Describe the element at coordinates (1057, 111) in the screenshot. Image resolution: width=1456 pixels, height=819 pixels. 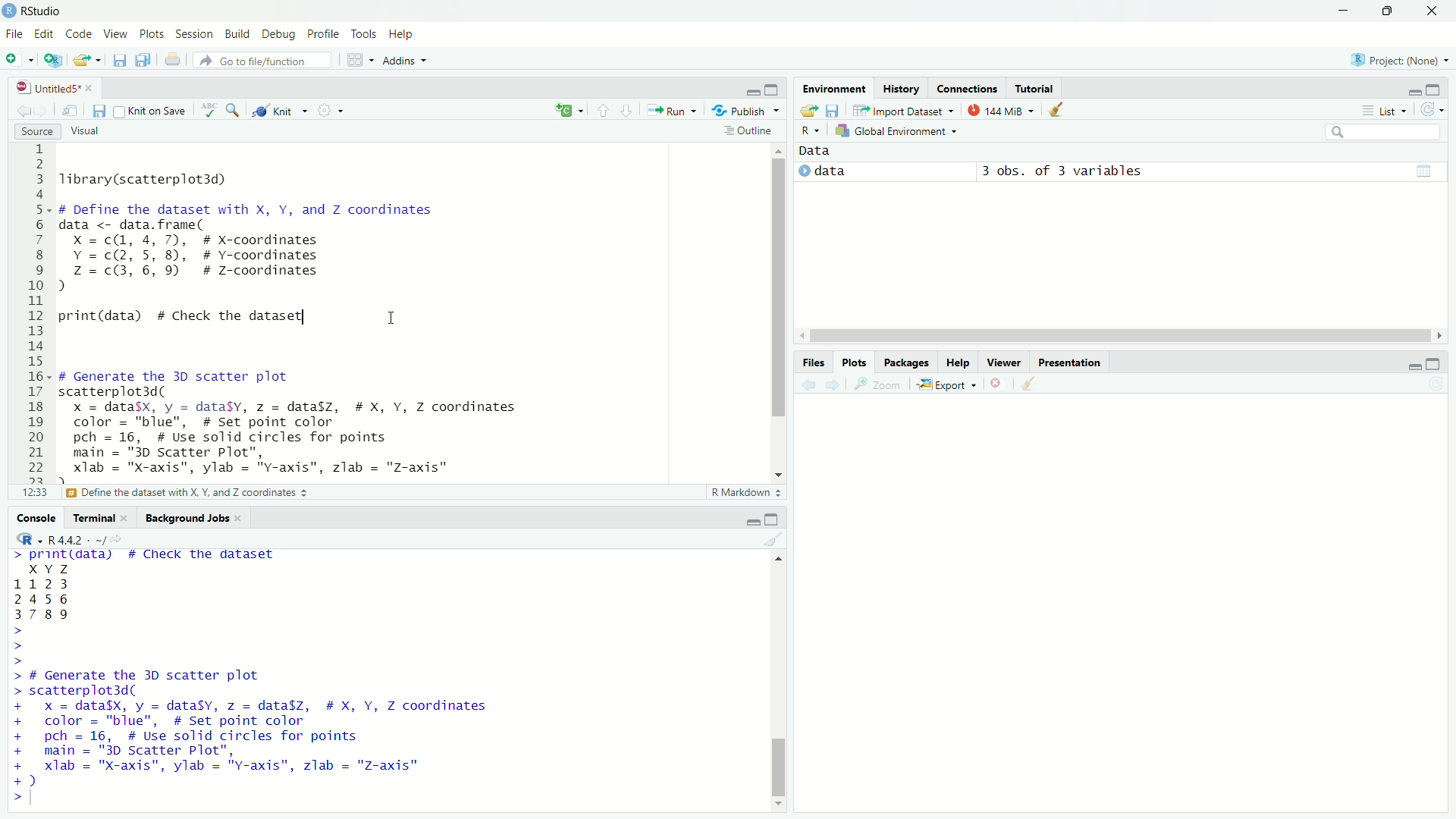
I see `clear objects from the workspace` at that location.